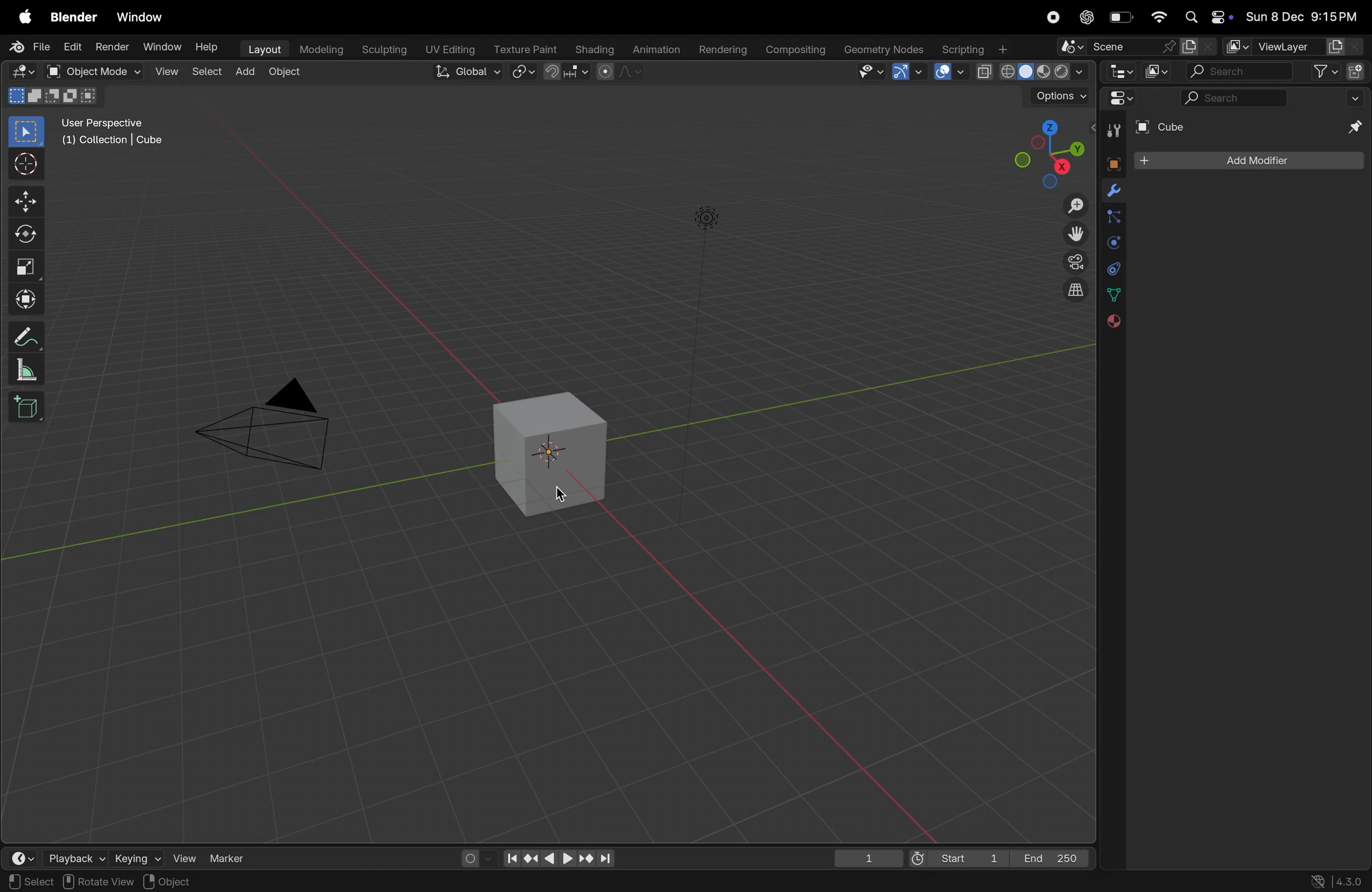 This screenshot has width=1372, height=892. I want to click on editor type, so click(22, 72).